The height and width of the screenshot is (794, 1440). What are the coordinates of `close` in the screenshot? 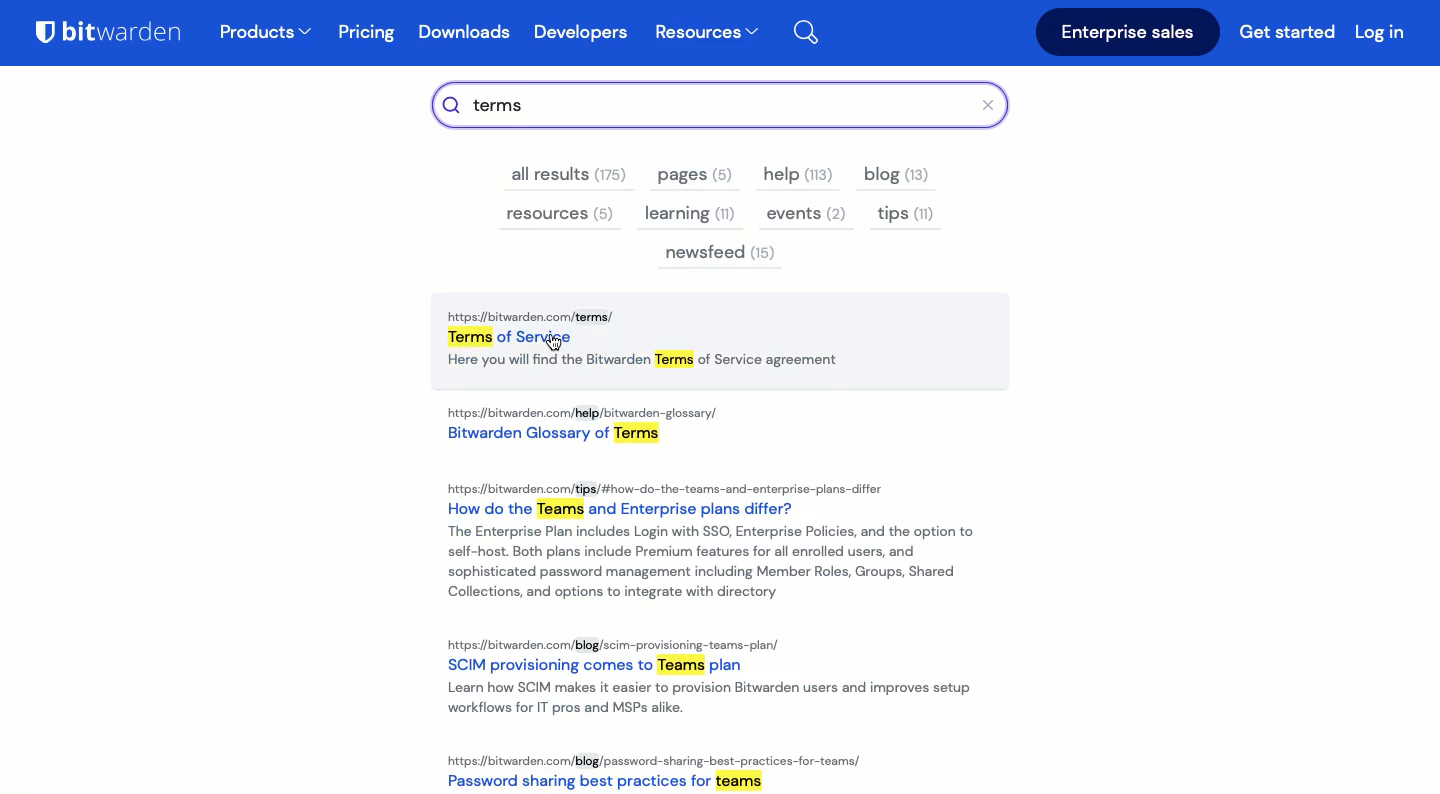 It's located at (994, 105).